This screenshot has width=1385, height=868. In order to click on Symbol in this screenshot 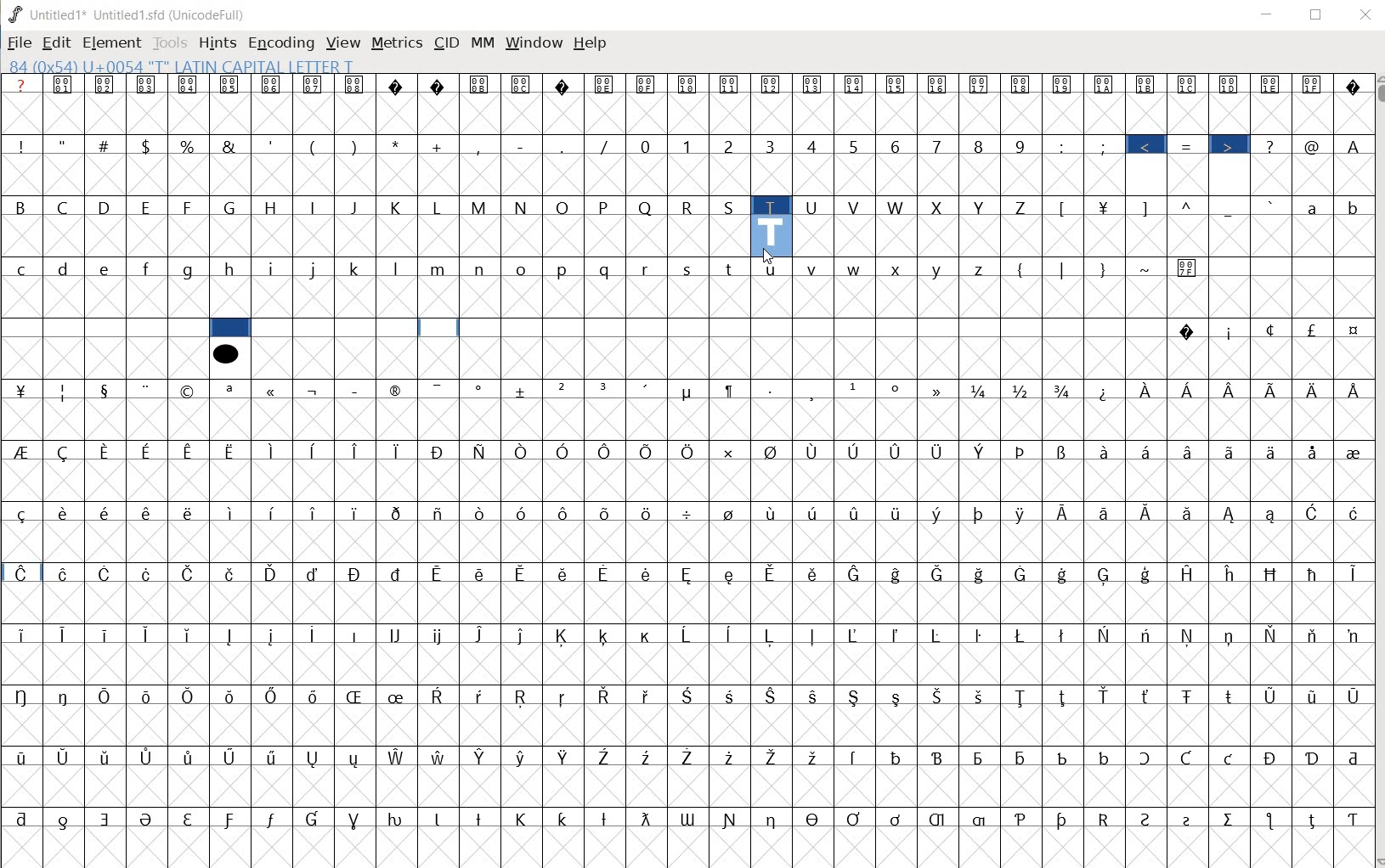, I will do `click(107, 86)`.